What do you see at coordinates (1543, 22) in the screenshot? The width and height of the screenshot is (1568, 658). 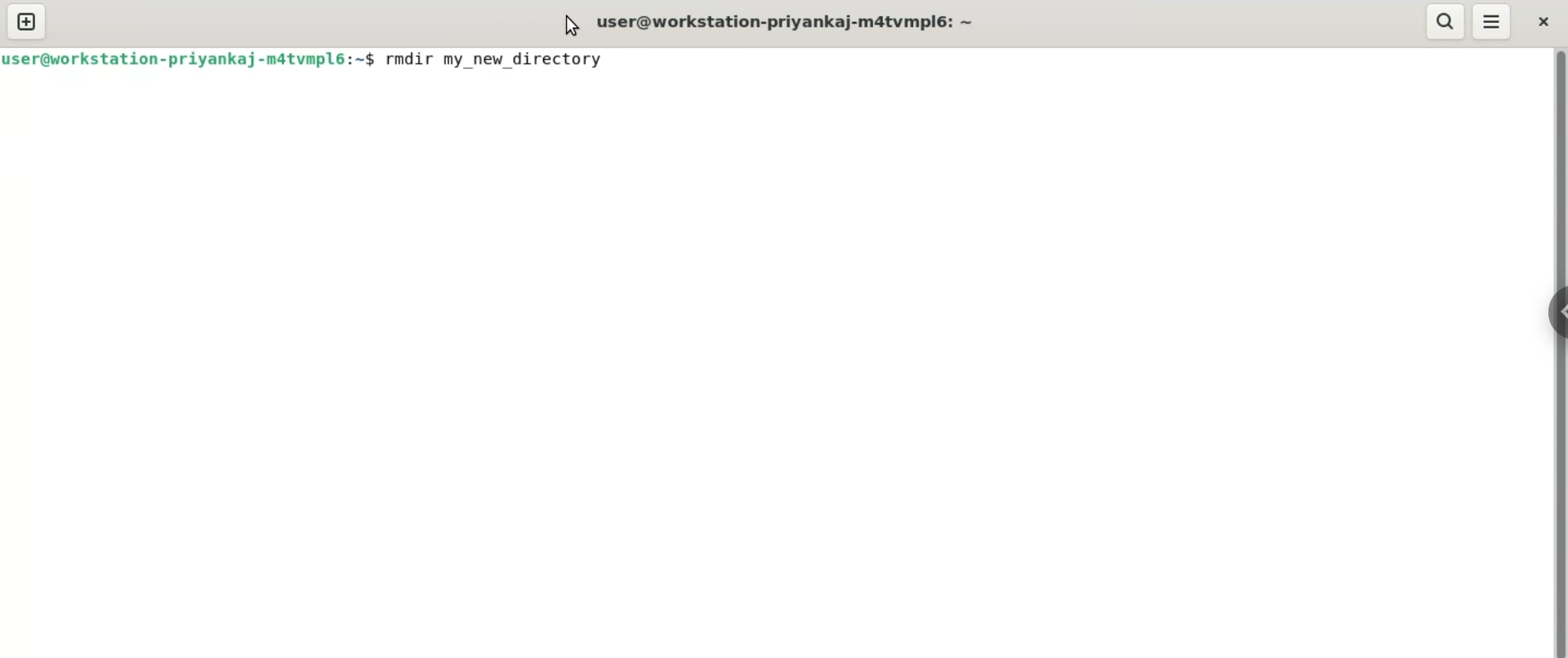 I see `close` at bounding box center [1543, 22].